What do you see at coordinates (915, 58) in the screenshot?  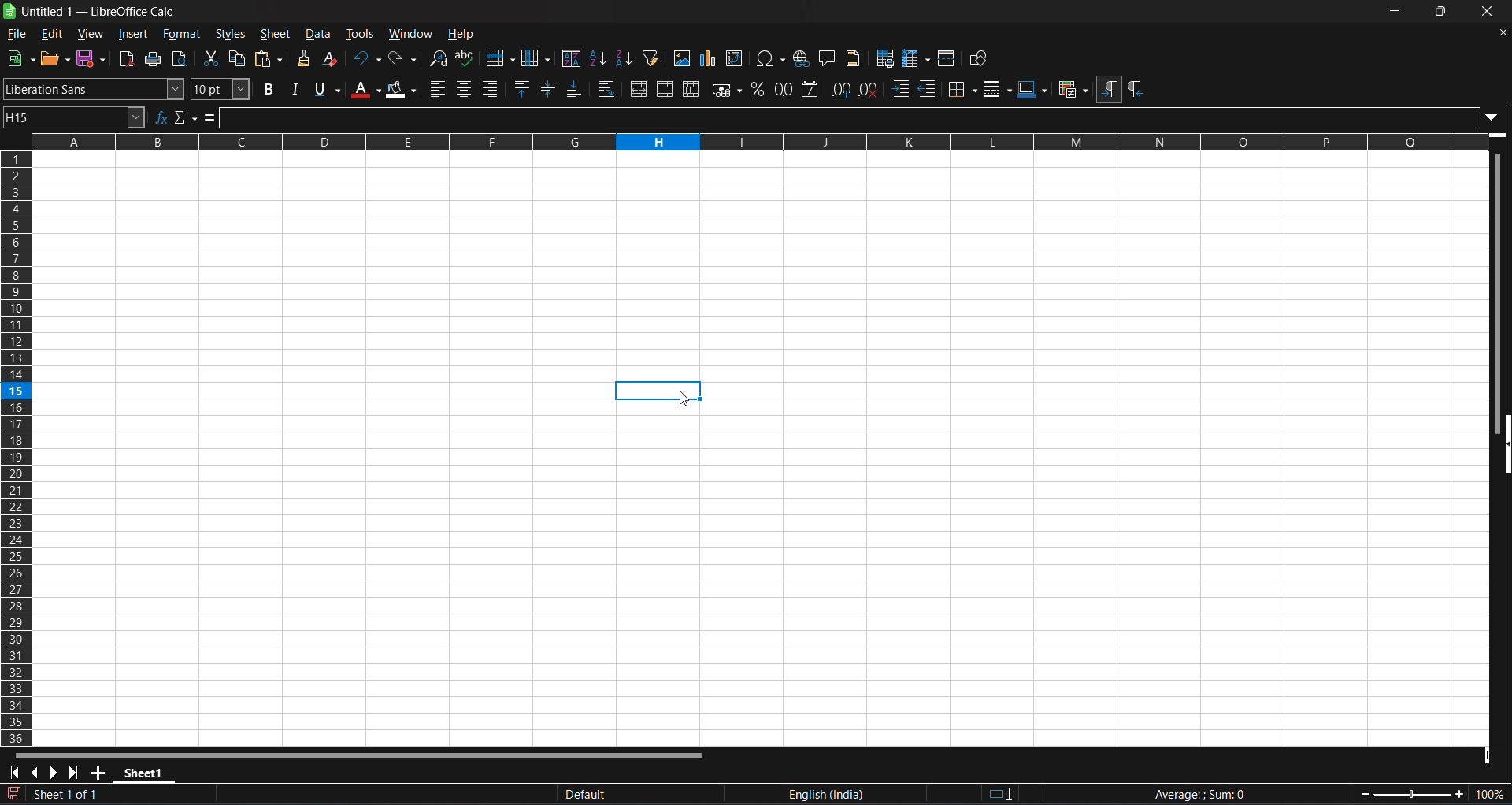 I see `freeze rows and columns` at bounding box center [915, 58].